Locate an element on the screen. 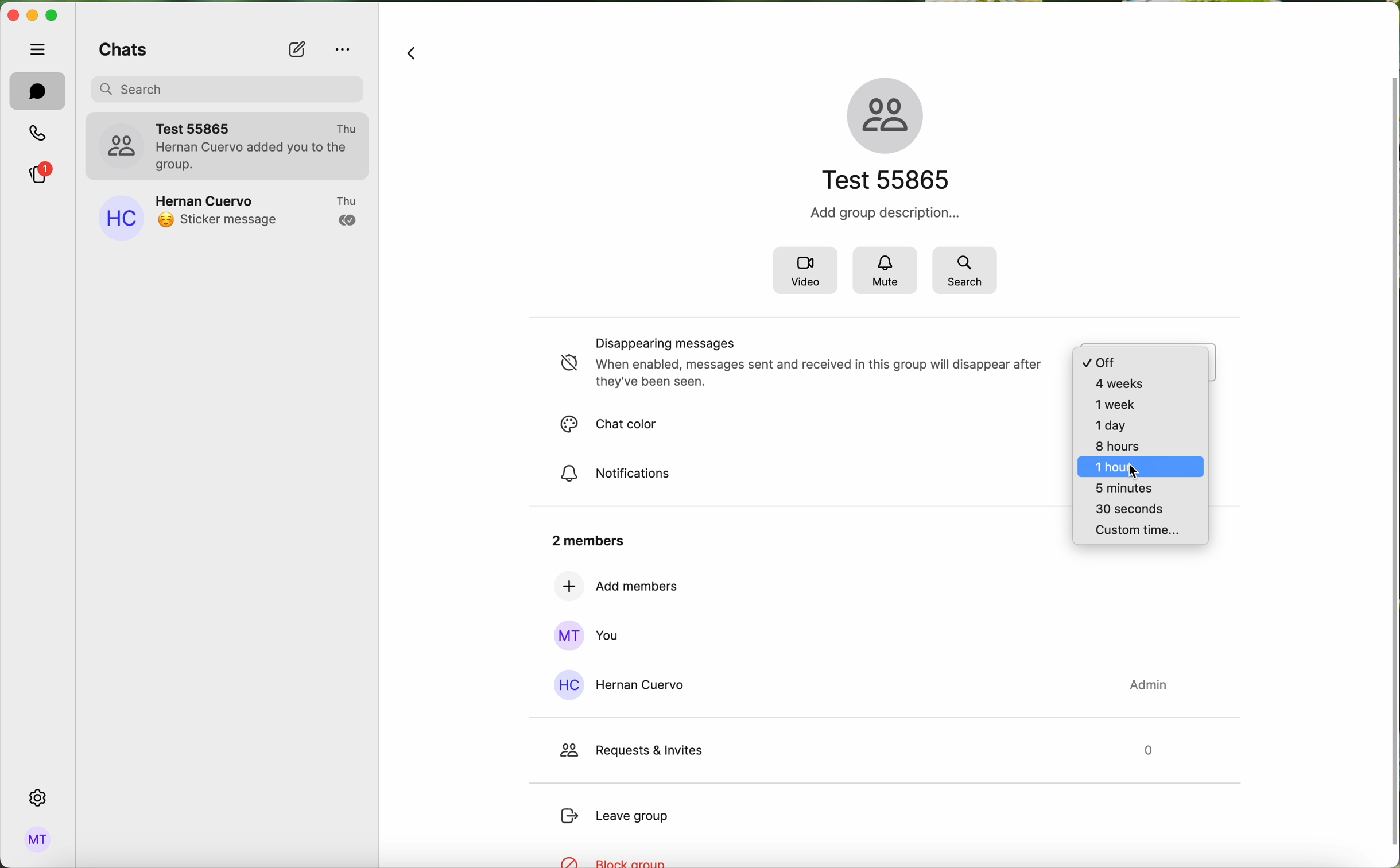 The image size is (1400, 868). navigate back is located at coordinates (413, 52).